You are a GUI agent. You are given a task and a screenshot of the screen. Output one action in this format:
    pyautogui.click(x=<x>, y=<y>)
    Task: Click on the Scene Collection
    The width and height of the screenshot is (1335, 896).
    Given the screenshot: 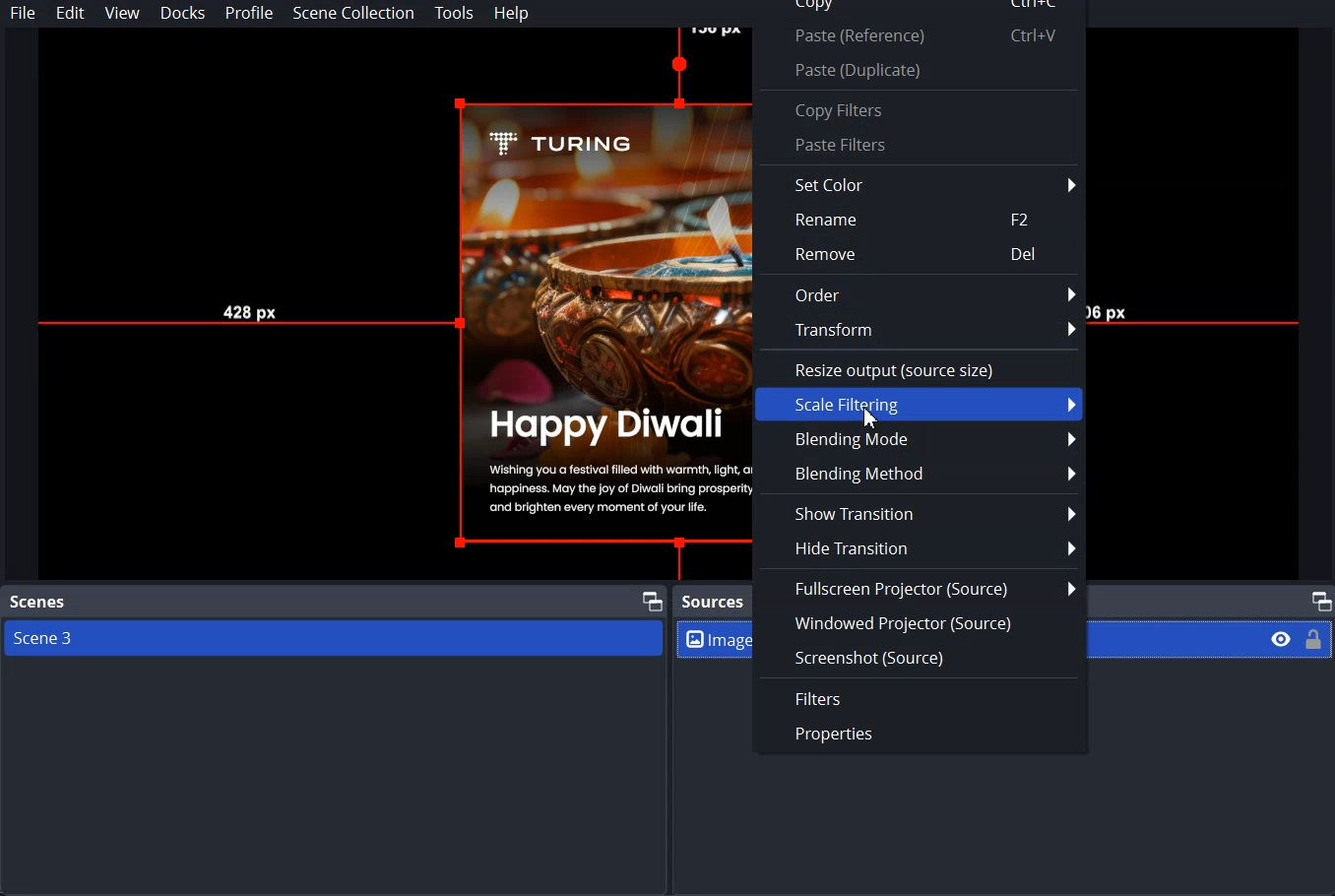 What is the action you would take?
    pyautogui.click(x=352, y=13)
    